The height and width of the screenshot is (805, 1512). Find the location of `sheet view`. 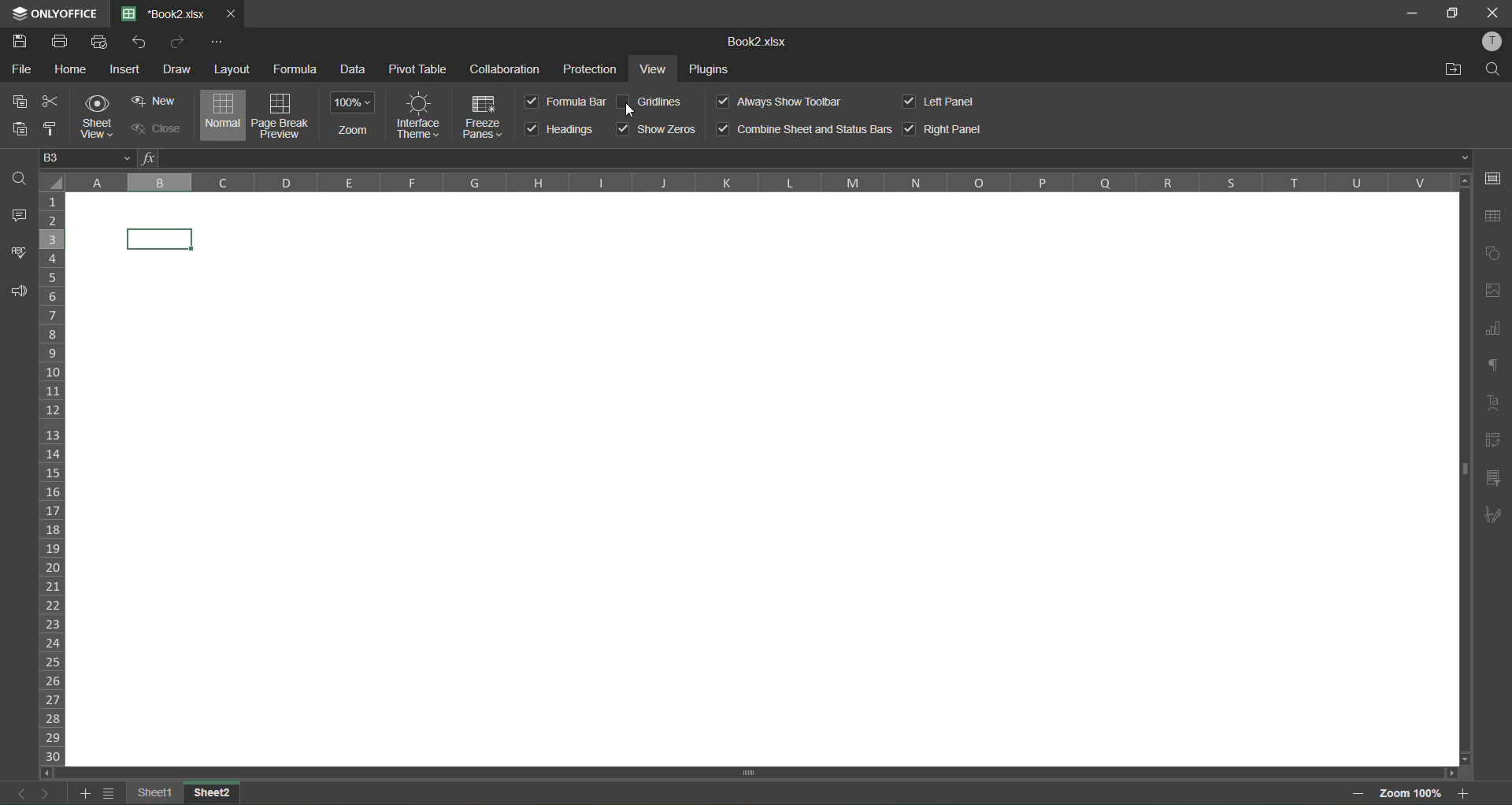

sheet view is located at coordinates (102, 117).